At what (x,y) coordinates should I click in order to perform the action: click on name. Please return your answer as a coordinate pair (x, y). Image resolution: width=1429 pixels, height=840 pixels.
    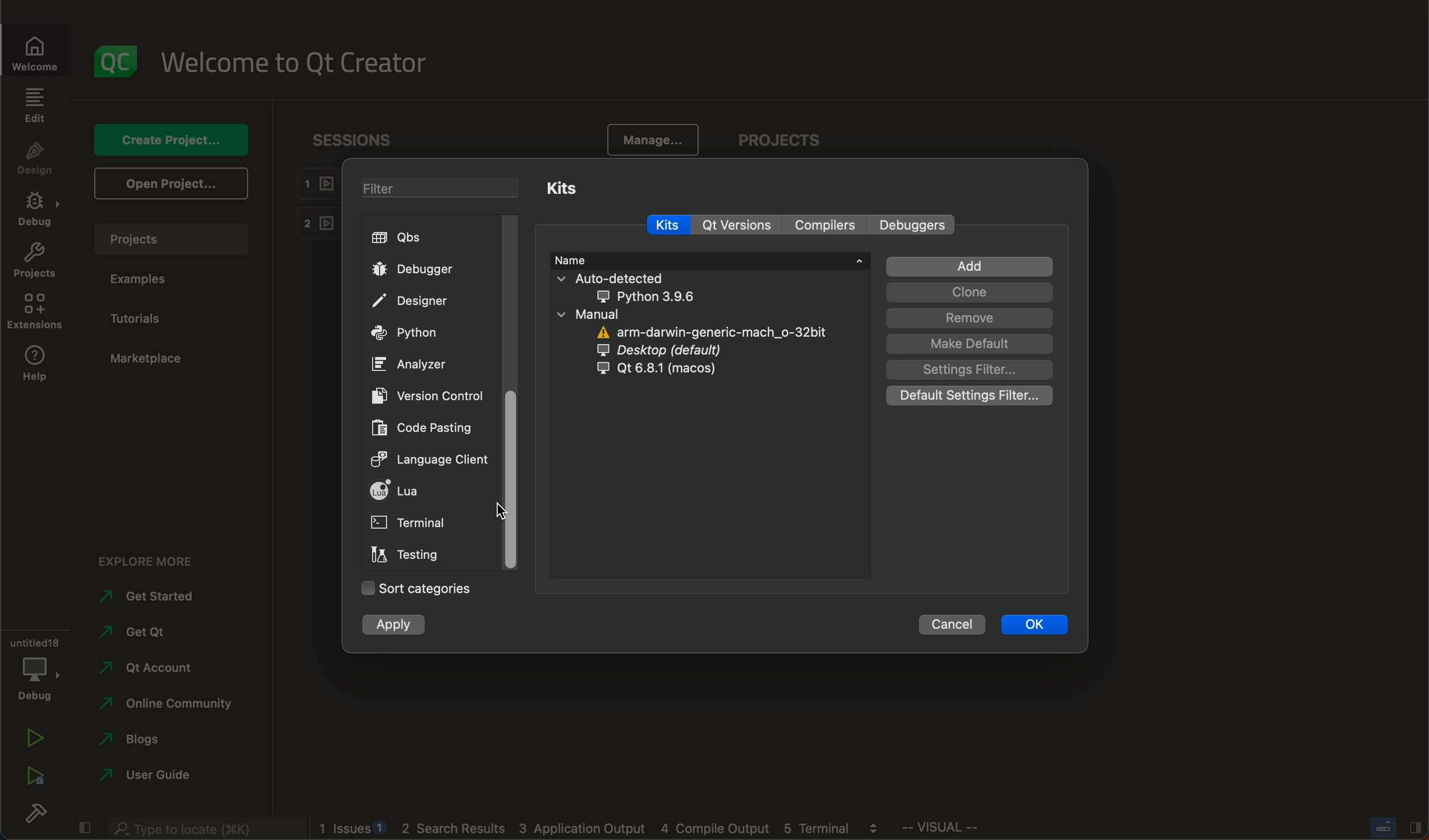
    Looking at the image, I should click on (710, 260).